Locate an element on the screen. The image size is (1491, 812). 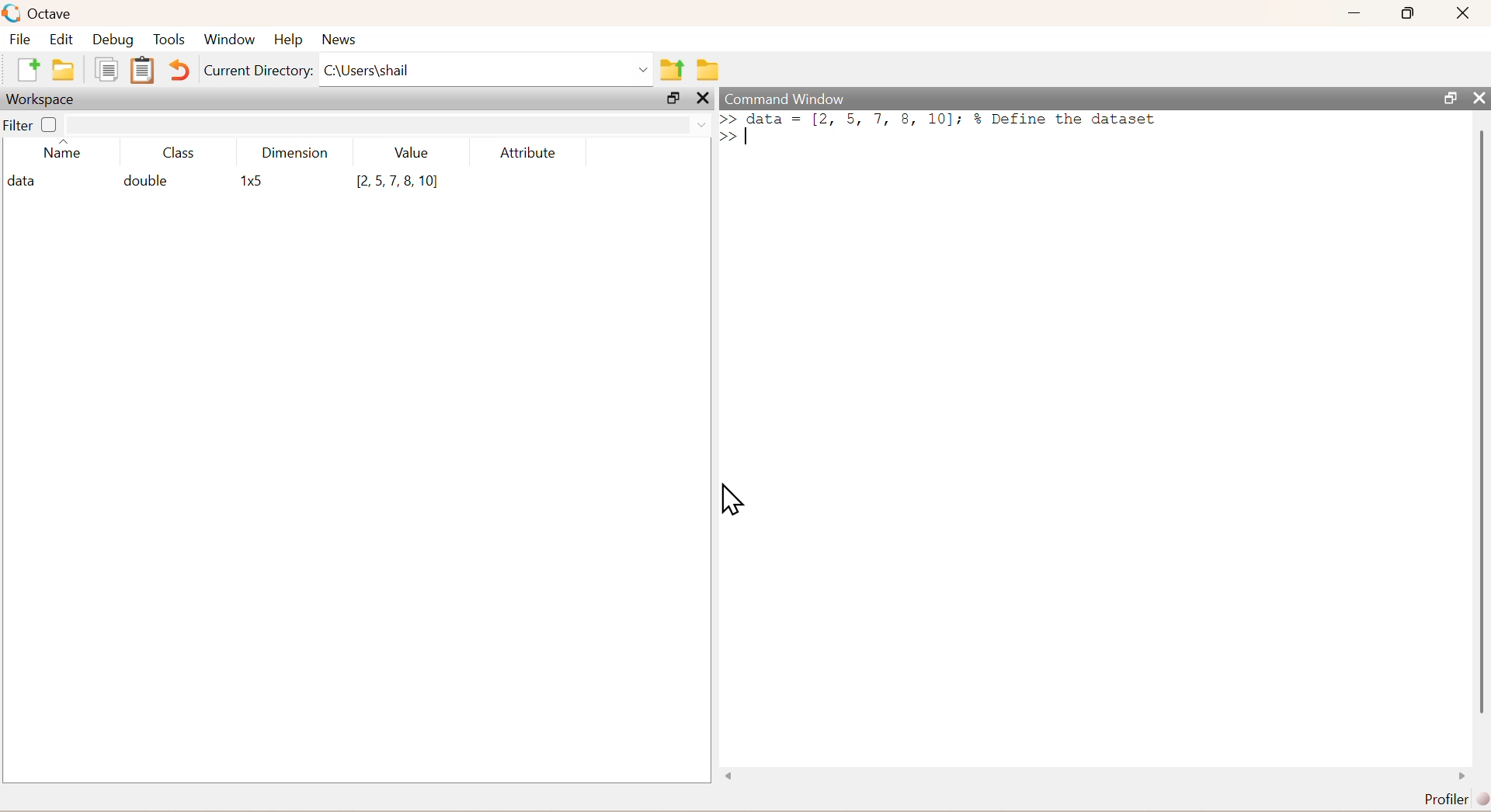
Undo  is located at coordinates (179, 70).